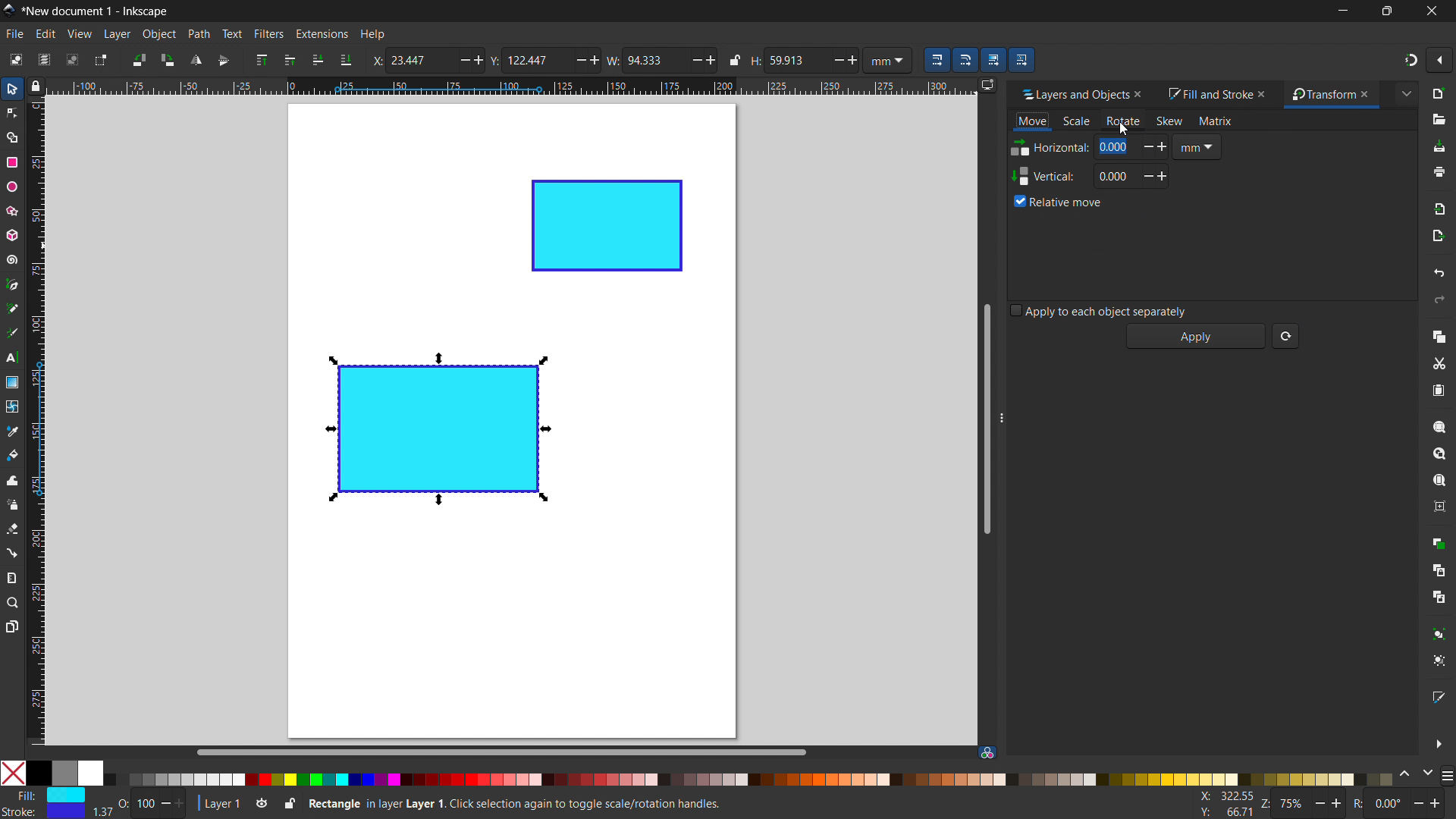 The width and height of the screenshot is (1456, 819). Describe the element at coordinates (435, 429) in the screenshot. I see `object 1` at that location.